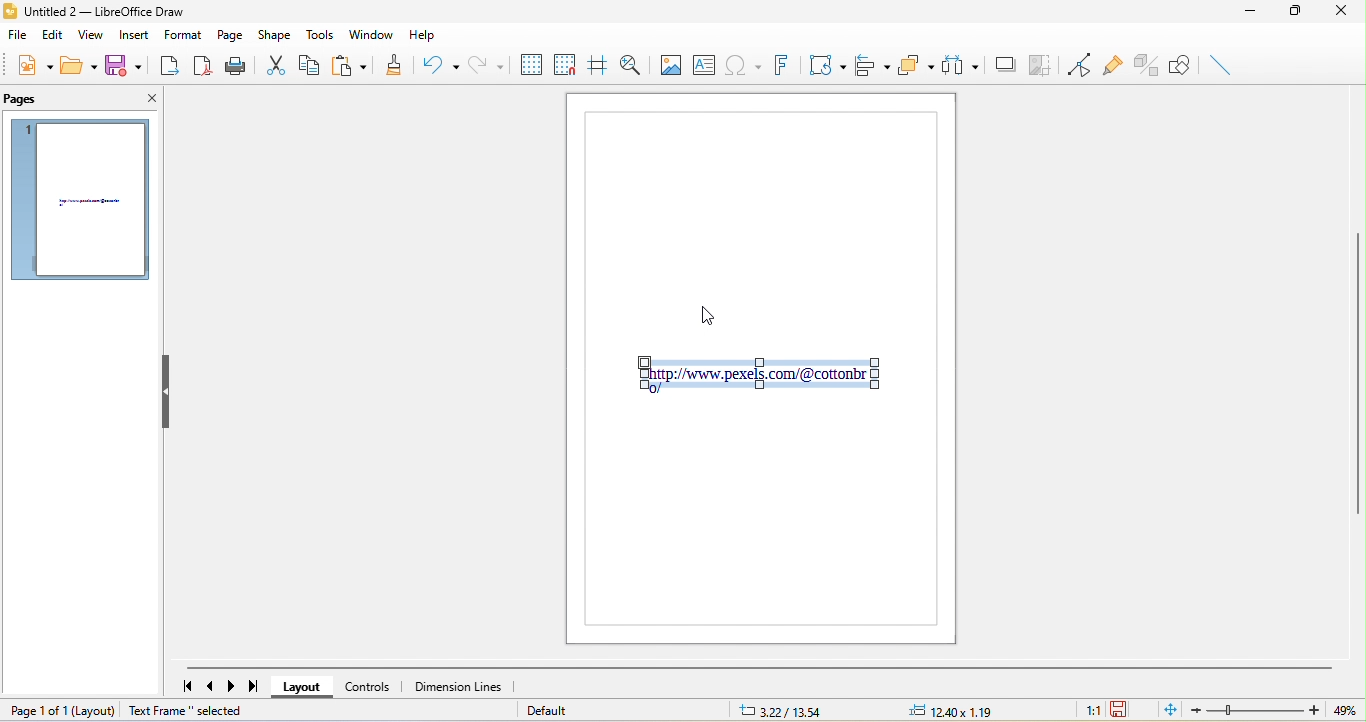 The height and width of the screenshot is (722, 1366). What do you see at coordinates (1357, 387) in the screenshot?
I see `vertical scrollbar` at bounding box center [1357, 387].